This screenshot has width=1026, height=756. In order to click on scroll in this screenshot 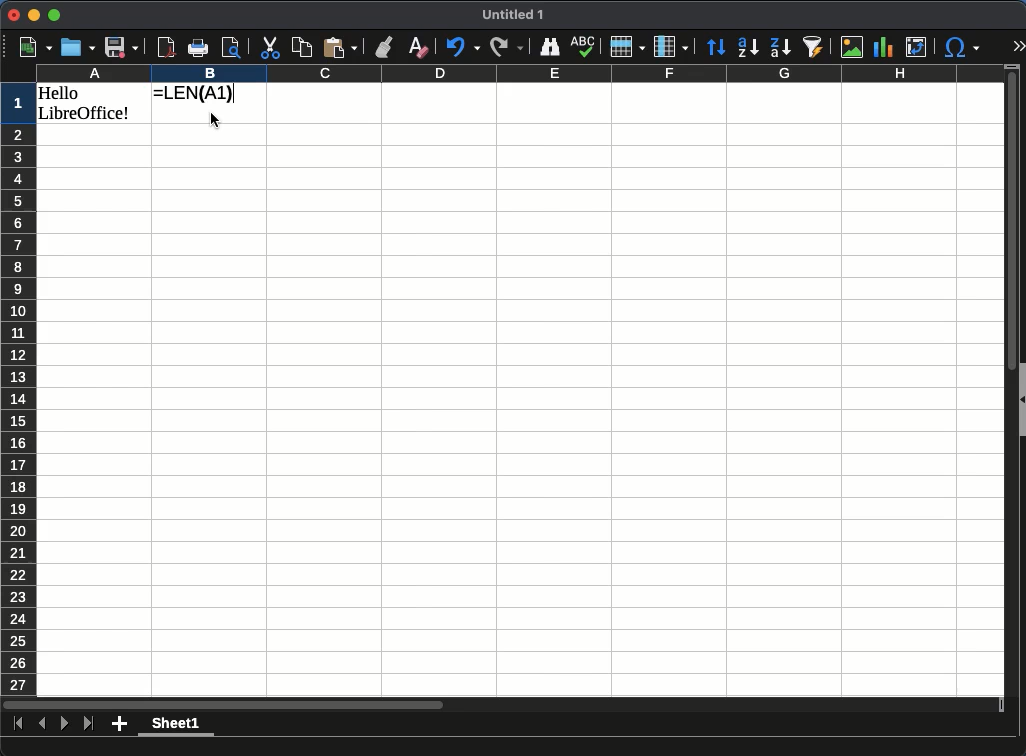, I will do `click(1005, 381)`.